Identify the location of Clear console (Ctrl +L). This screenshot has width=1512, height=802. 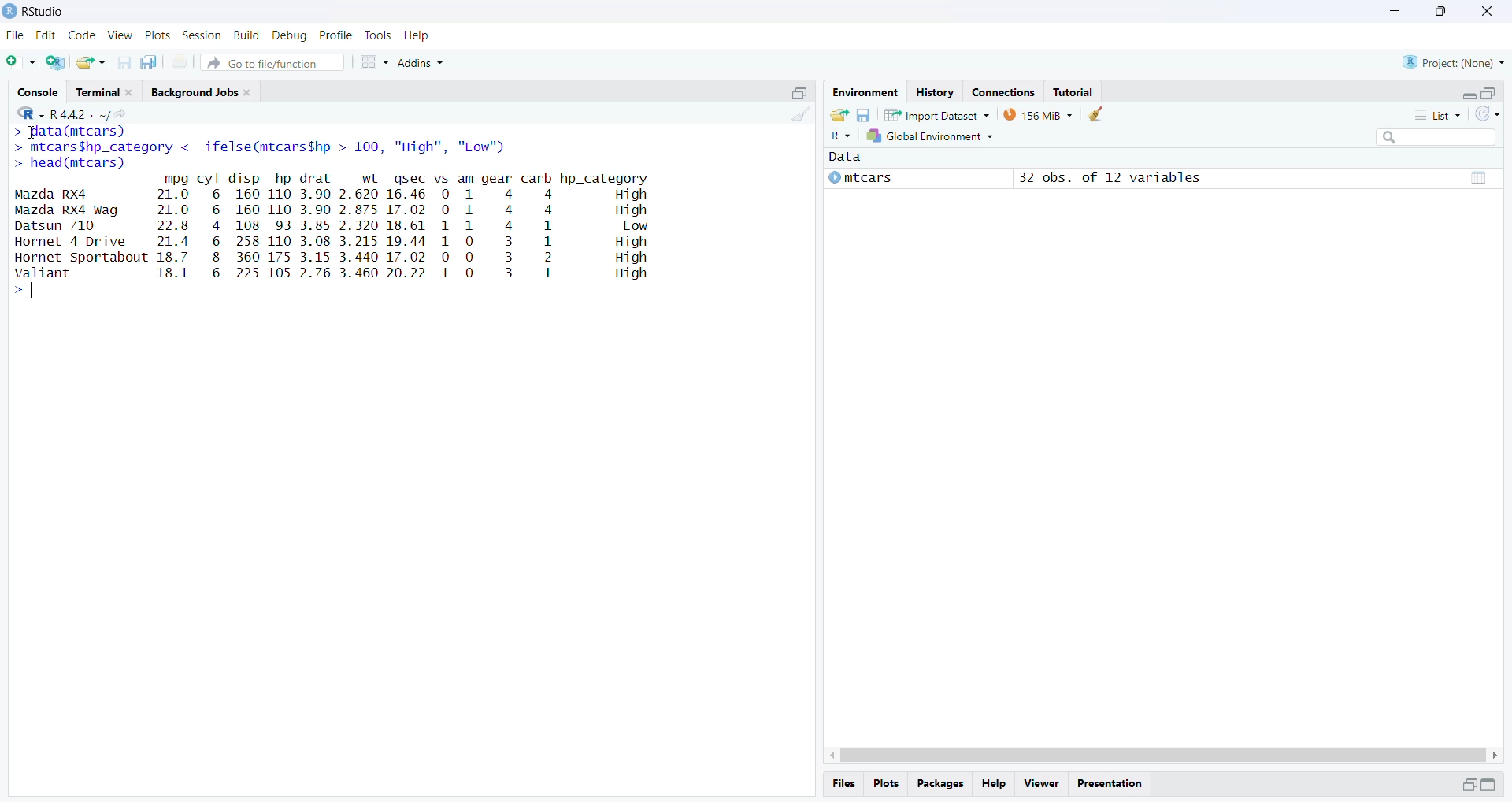
(1096, 114).